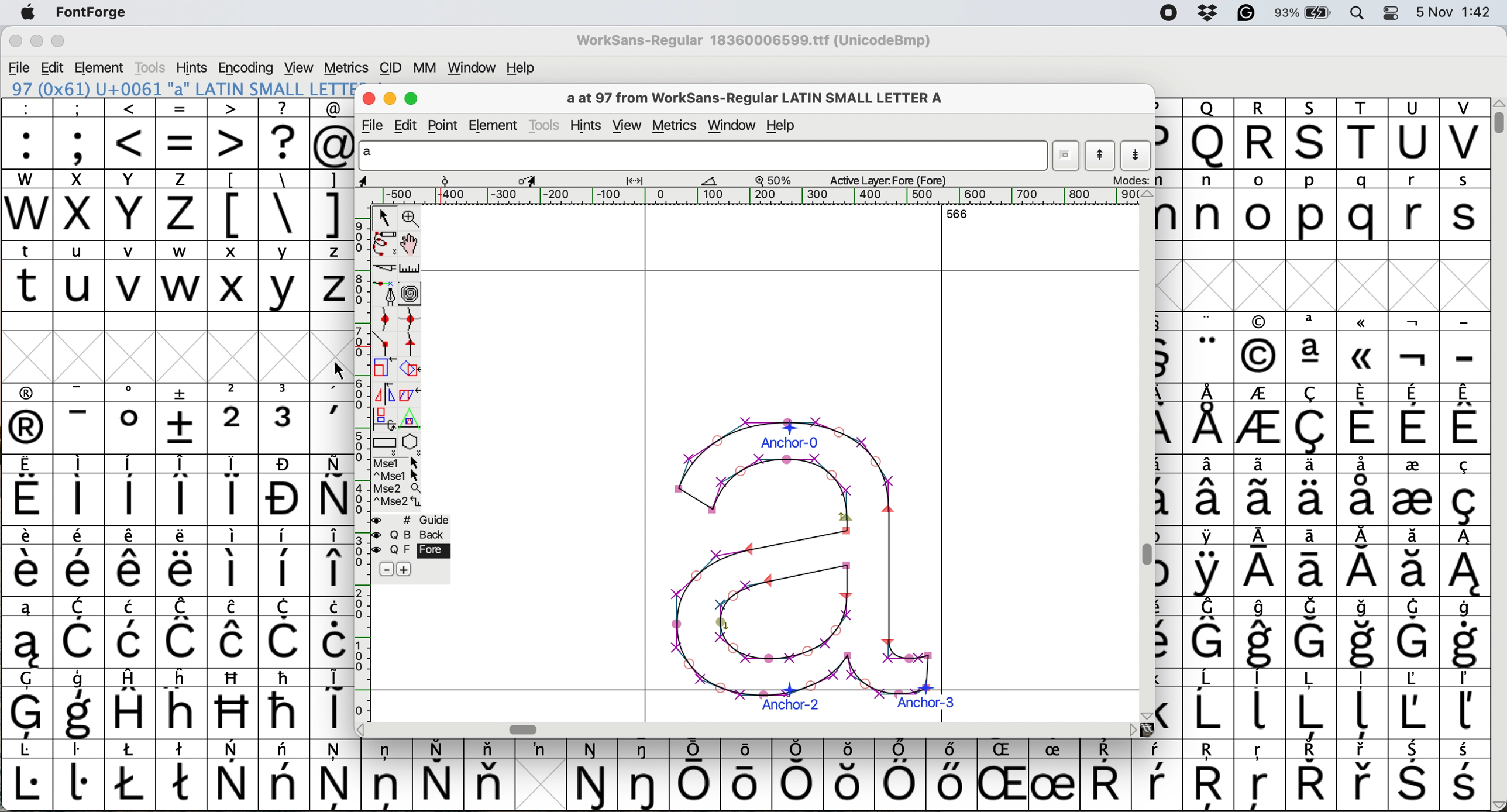 This screenshot has height=812, width=1507. What do you see at coordinates (1209, 348) in the screenshot?
I see `symbol` at bounding box center [1209, 348].